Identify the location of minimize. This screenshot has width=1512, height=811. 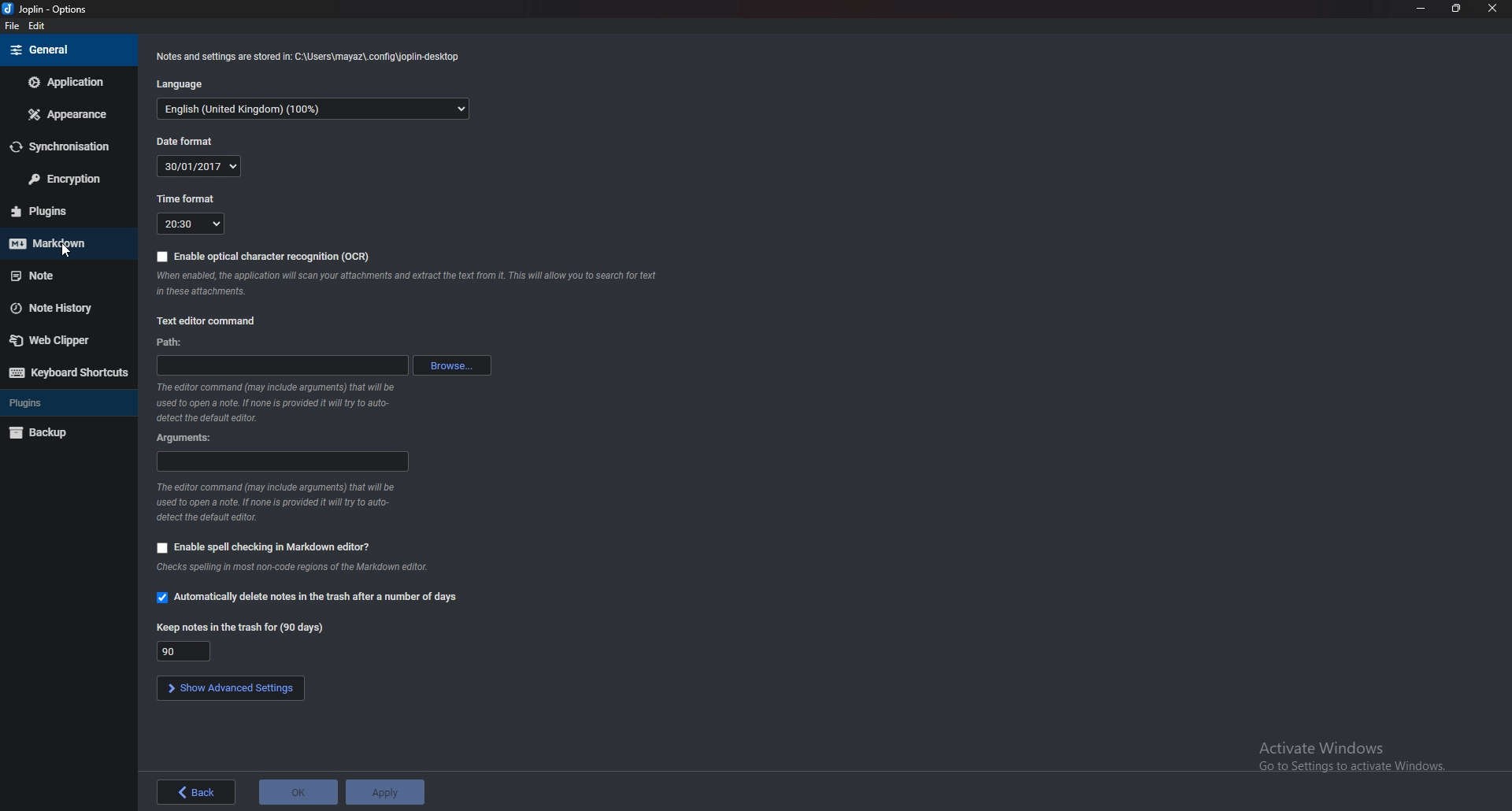
(1421, 9).